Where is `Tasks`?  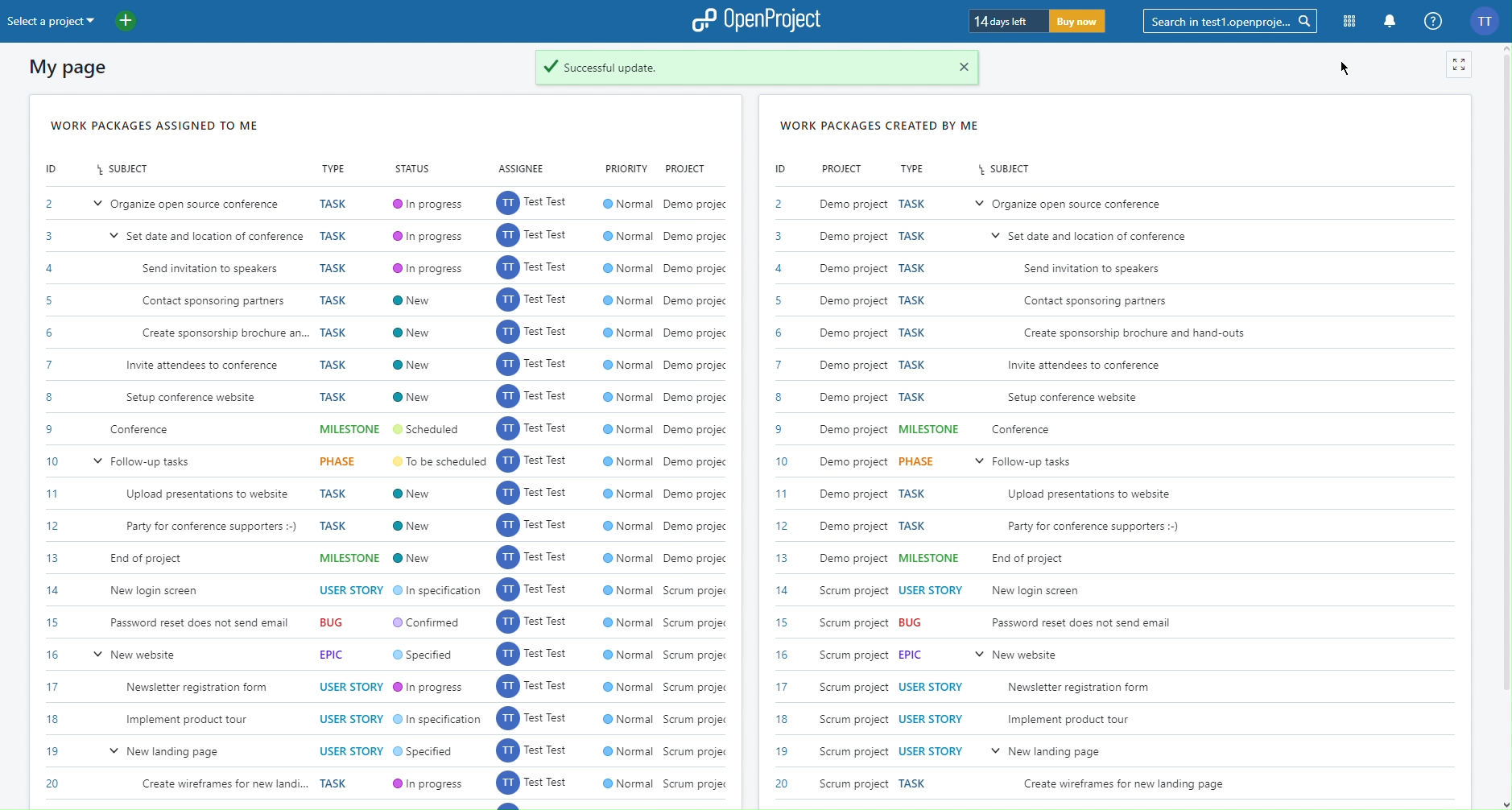
Tasks is located at coordinates (911, 302).